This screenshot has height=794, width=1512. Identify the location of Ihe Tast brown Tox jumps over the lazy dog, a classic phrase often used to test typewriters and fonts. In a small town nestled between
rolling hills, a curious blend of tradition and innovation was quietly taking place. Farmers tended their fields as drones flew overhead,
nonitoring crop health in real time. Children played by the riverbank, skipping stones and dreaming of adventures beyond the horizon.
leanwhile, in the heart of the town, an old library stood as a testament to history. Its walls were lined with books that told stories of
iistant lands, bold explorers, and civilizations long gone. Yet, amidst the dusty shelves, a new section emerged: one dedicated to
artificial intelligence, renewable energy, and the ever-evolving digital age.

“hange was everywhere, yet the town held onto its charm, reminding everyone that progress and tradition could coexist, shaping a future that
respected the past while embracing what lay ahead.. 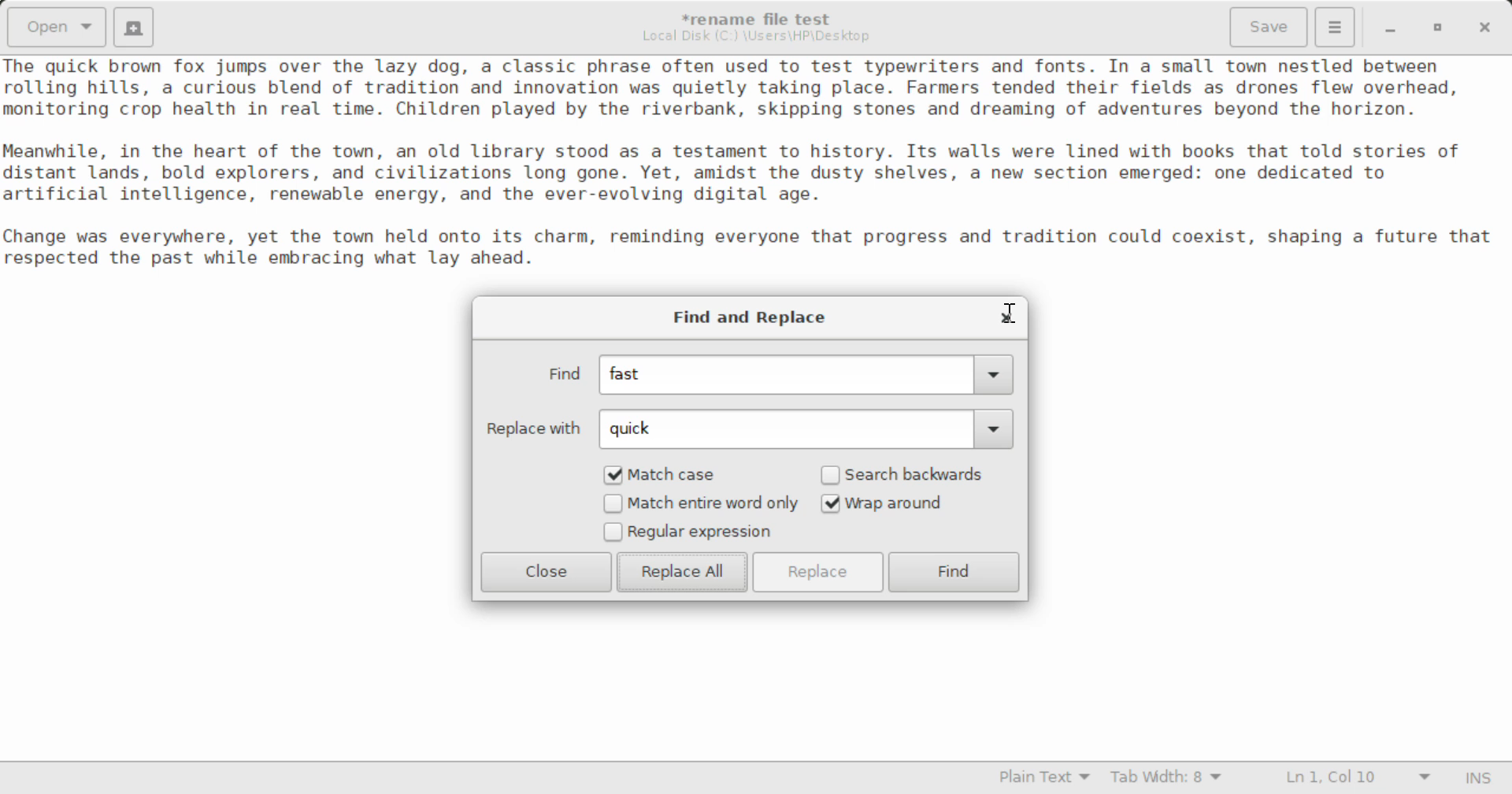
(756, 177).